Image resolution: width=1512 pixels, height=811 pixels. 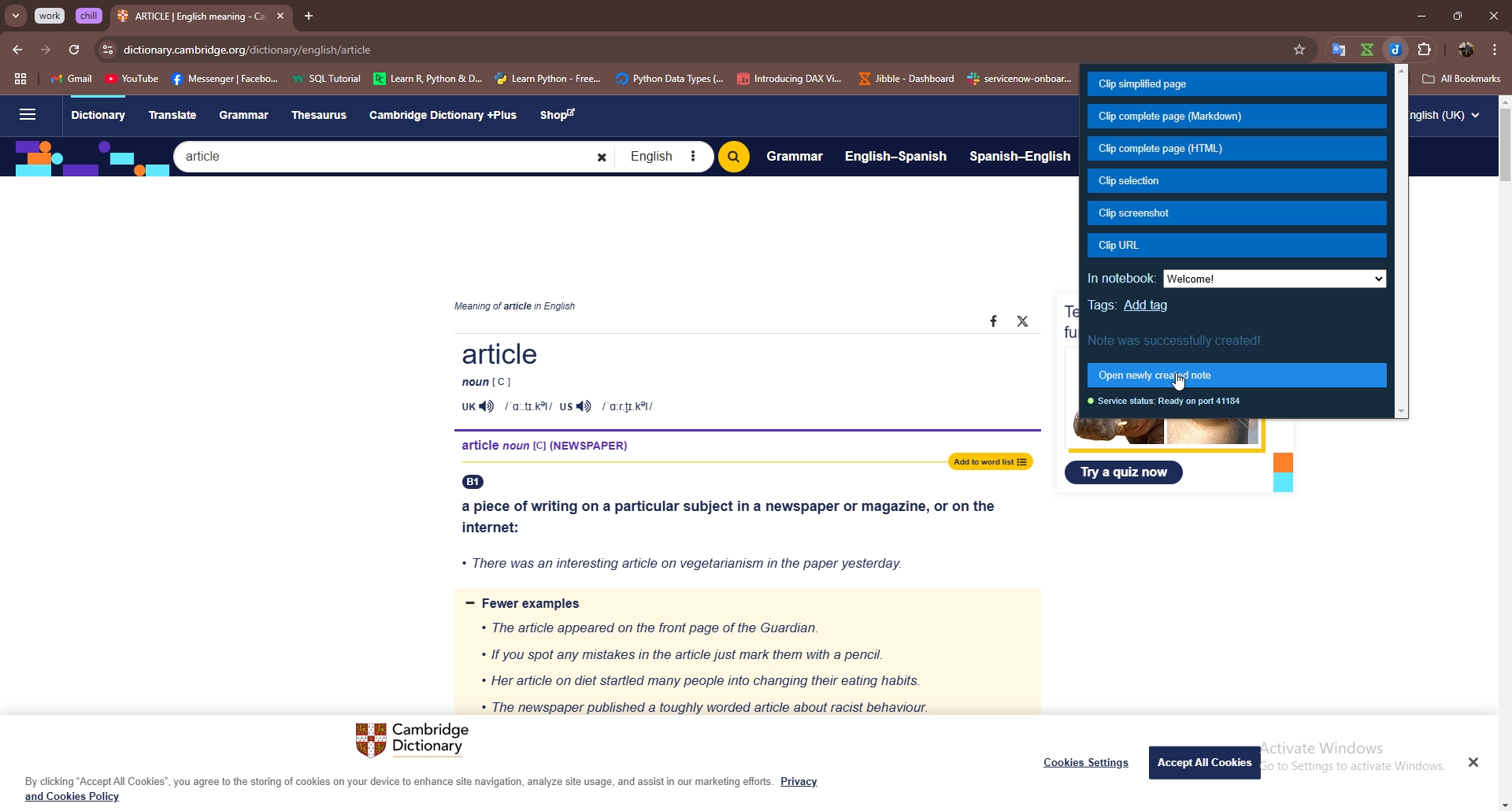 What do you see at coordinates (17, 50) in the screenshot?
I see `back` at bounding box center [17, 50].